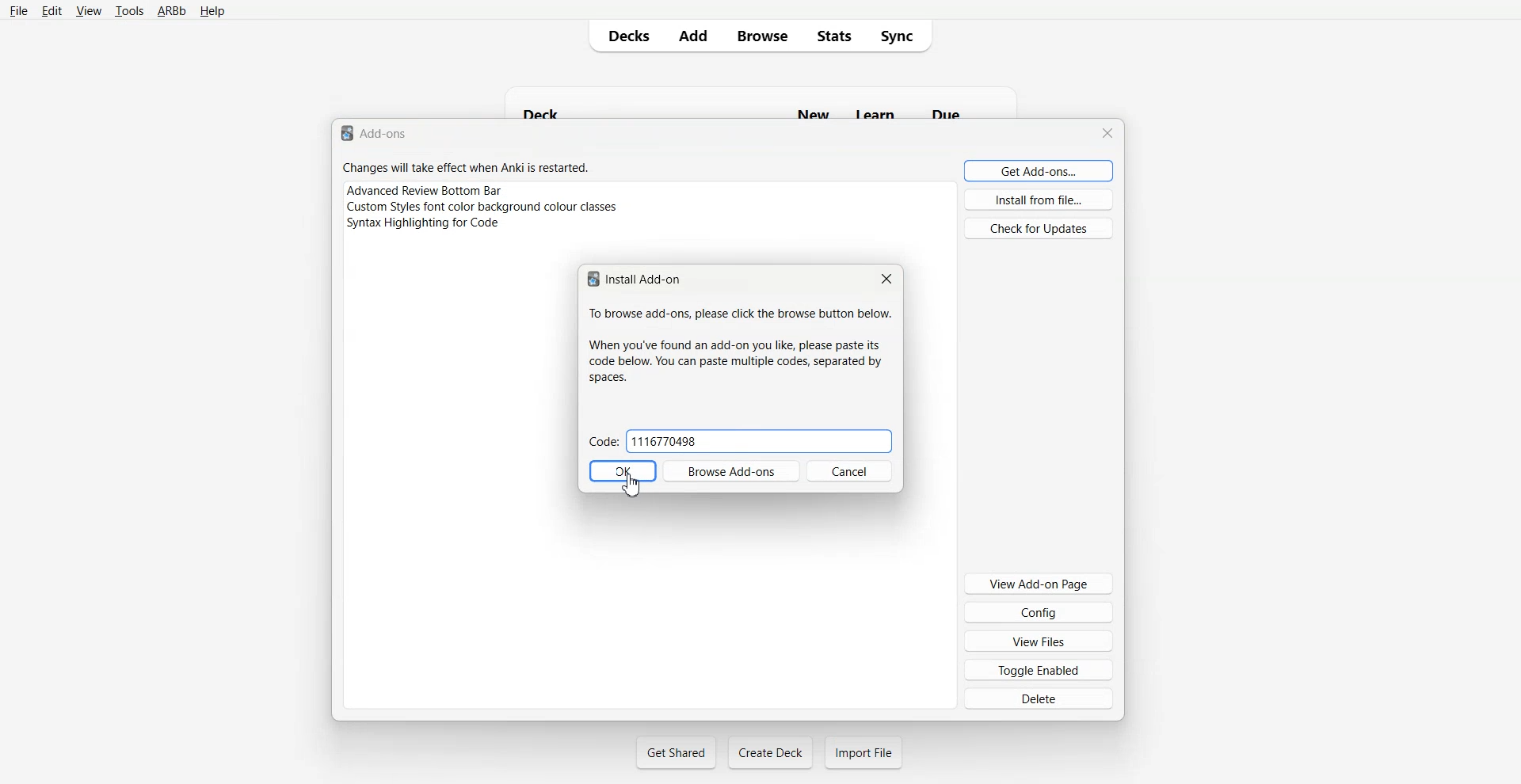 The width and height of the screenshot is (1521, 784). What do you see at coordinates (1039, 668) in the screenshot?
I see `Toggle Enabled` at bounding box center [1039, 668].